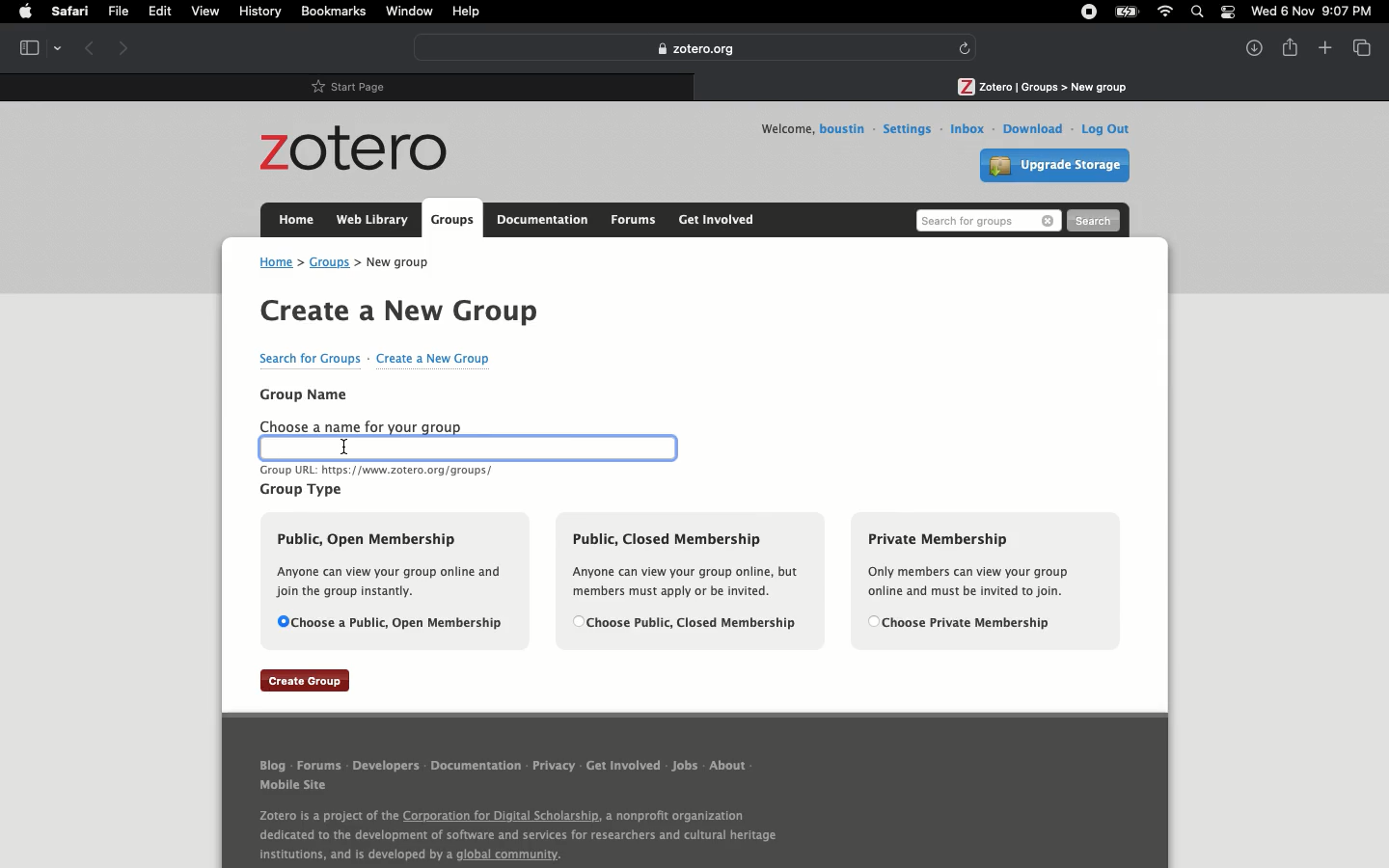 This screenshot has width=1389, height=868. Describe the element at coordinates (308, 359) in the screenshot. I see `Search for groups` at that location.